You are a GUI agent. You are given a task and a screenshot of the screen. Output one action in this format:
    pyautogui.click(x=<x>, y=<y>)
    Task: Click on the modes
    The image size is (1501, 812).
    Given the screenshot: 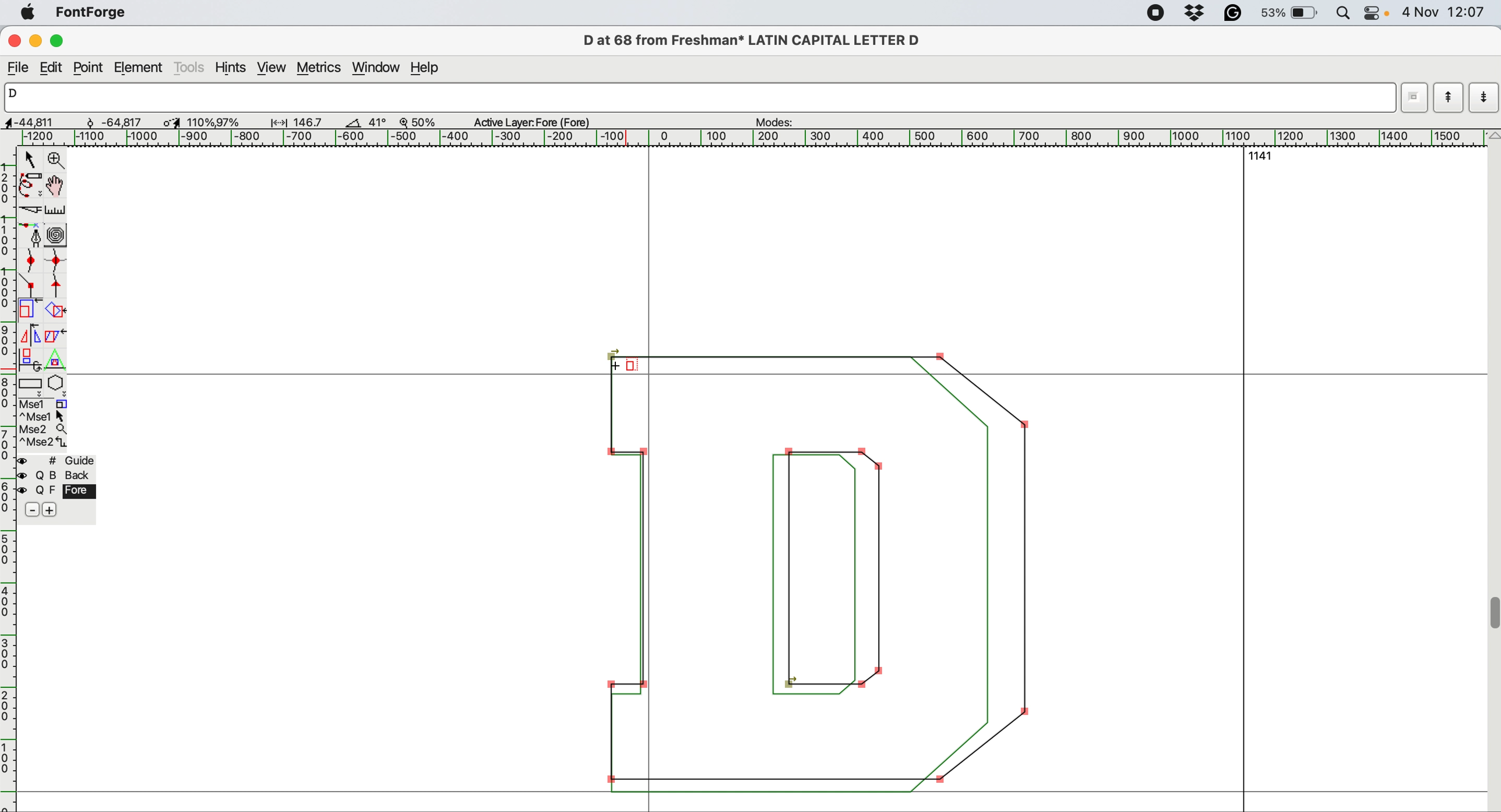 What is the action you would take?
    pyautogui.click(x=782, y=122)
    